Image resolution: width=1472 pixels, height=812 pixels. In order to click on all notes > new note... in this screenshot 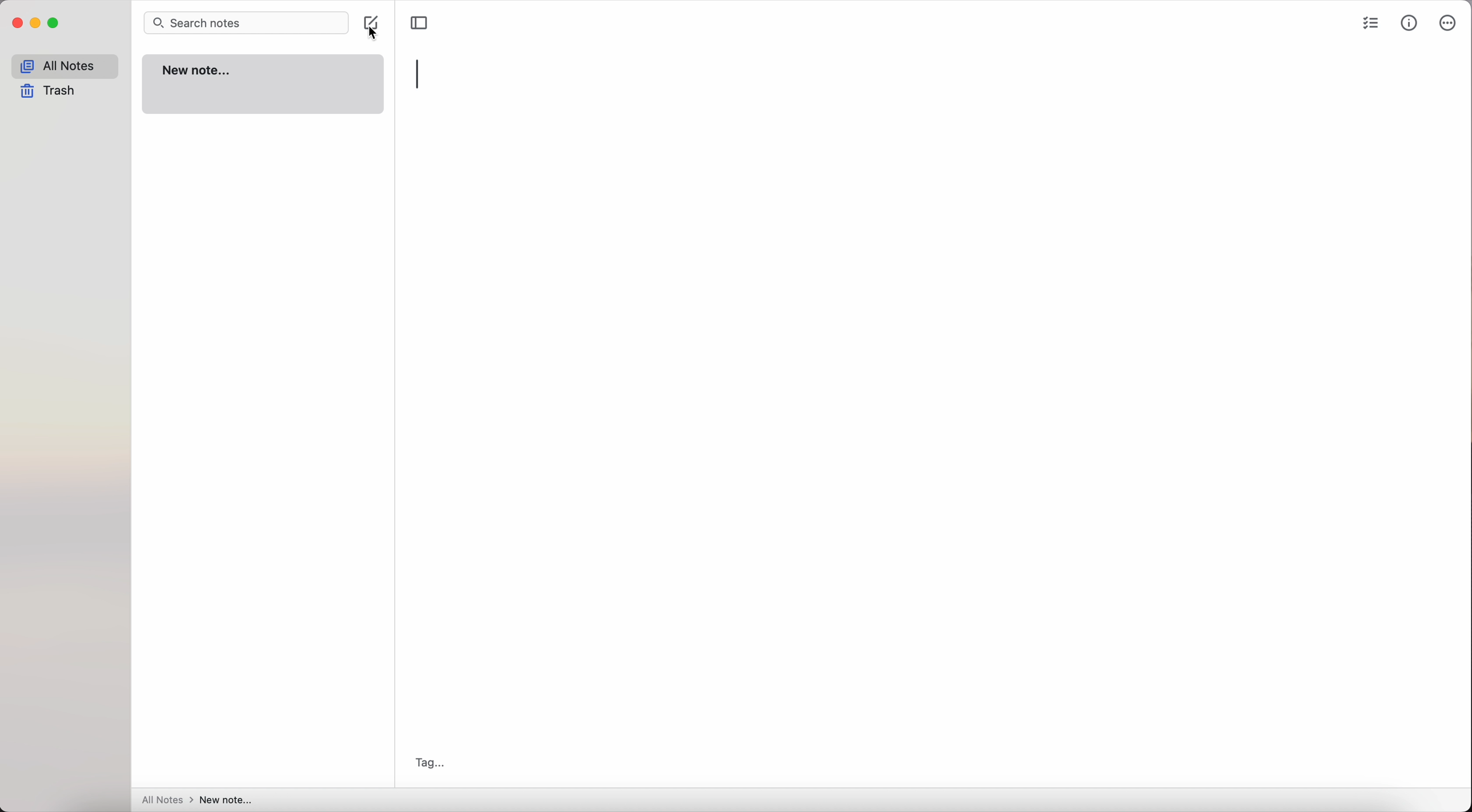, I will do `click(197, 800)`.